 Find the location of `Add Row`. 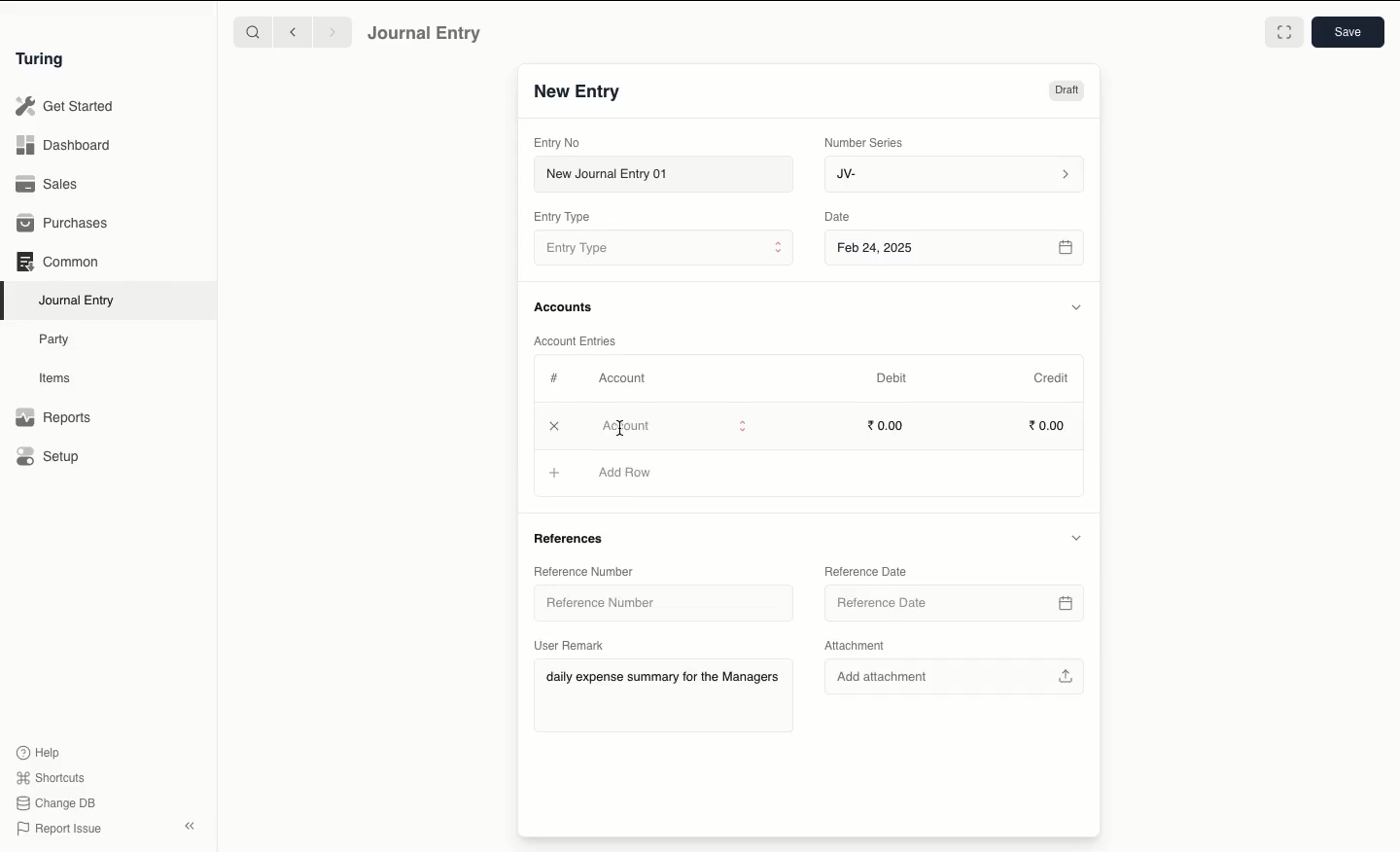

Add Row is located at coordinates (626, 427).